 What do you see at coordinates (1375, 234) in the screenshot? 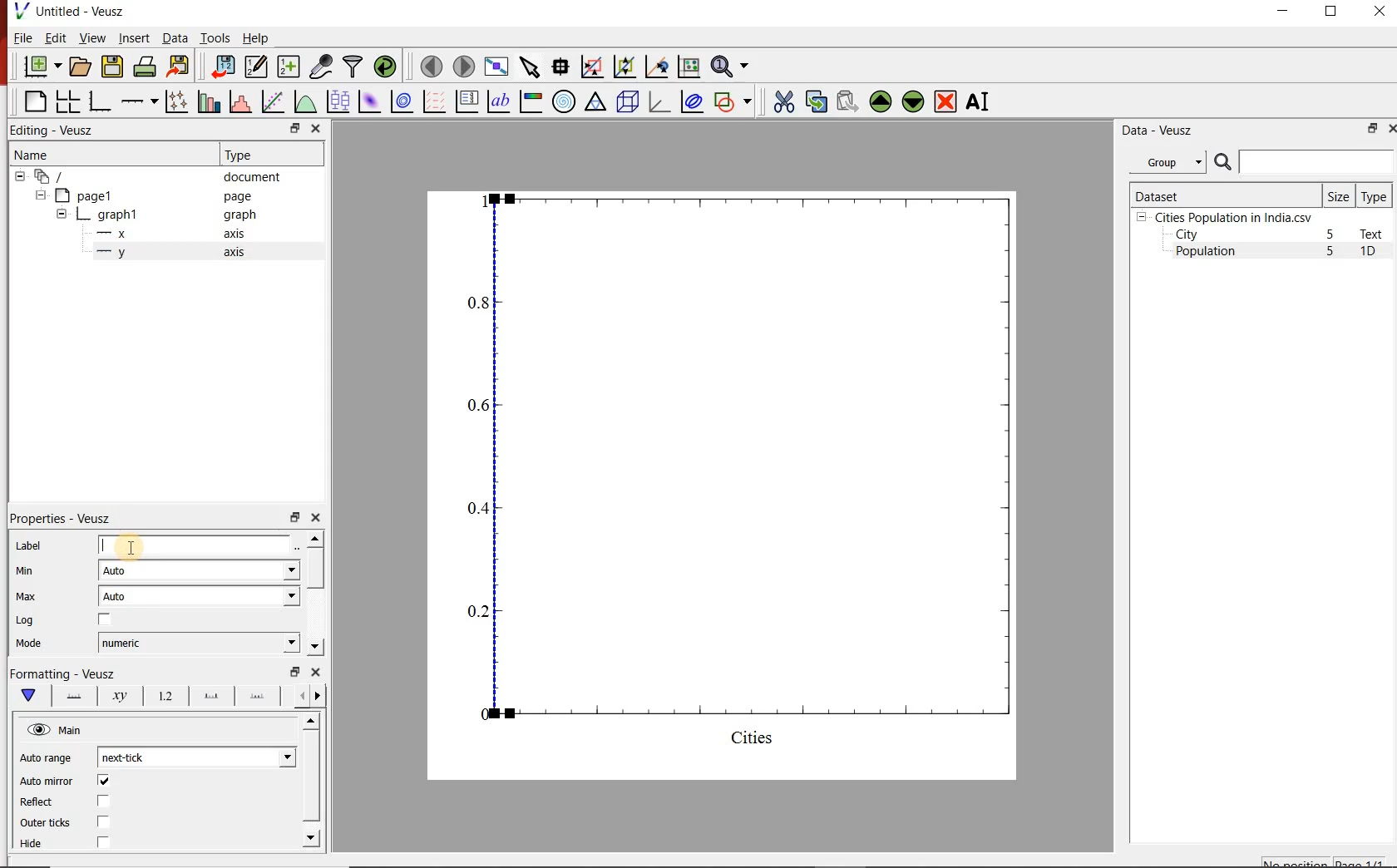
I see `Text` at bounding box center [1375, 234].